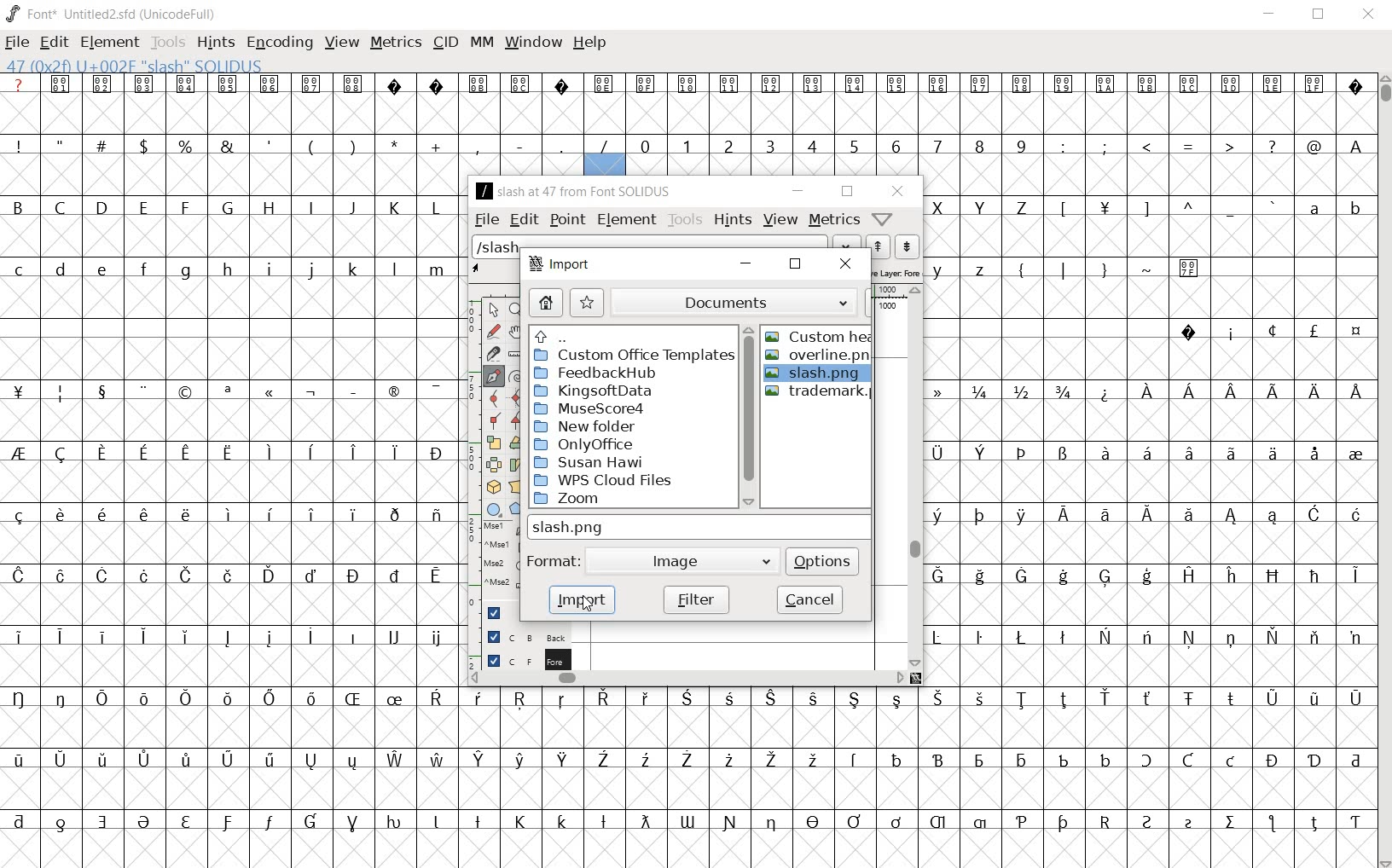 Image resolution: width=1392 pixels, height=868 pixels. I want to click on 47(0*2f)U+002F "SLASH" SOLIDUS, so click(134, 65).